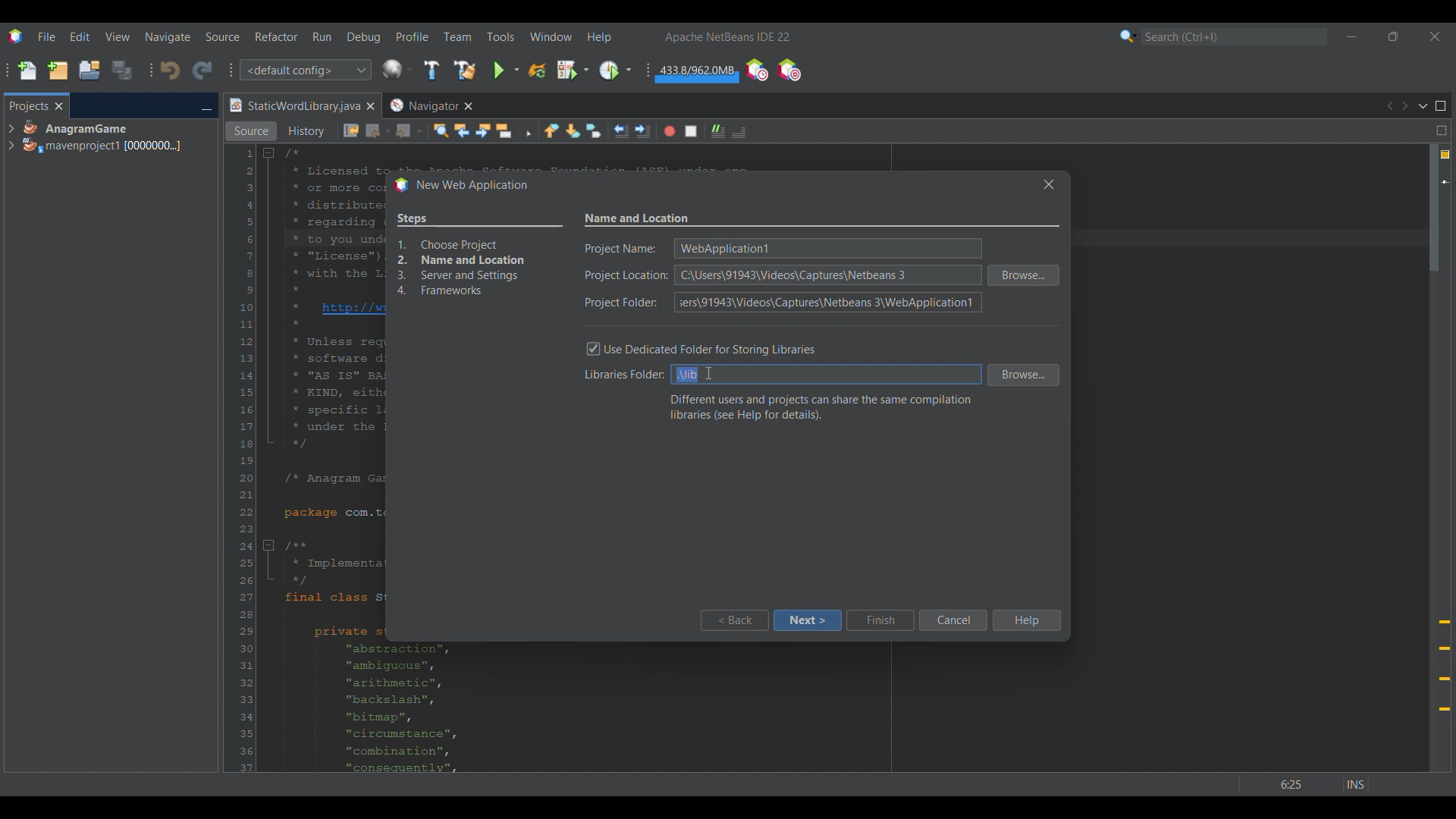  I want to click on Profile menu, so click(413, 36).